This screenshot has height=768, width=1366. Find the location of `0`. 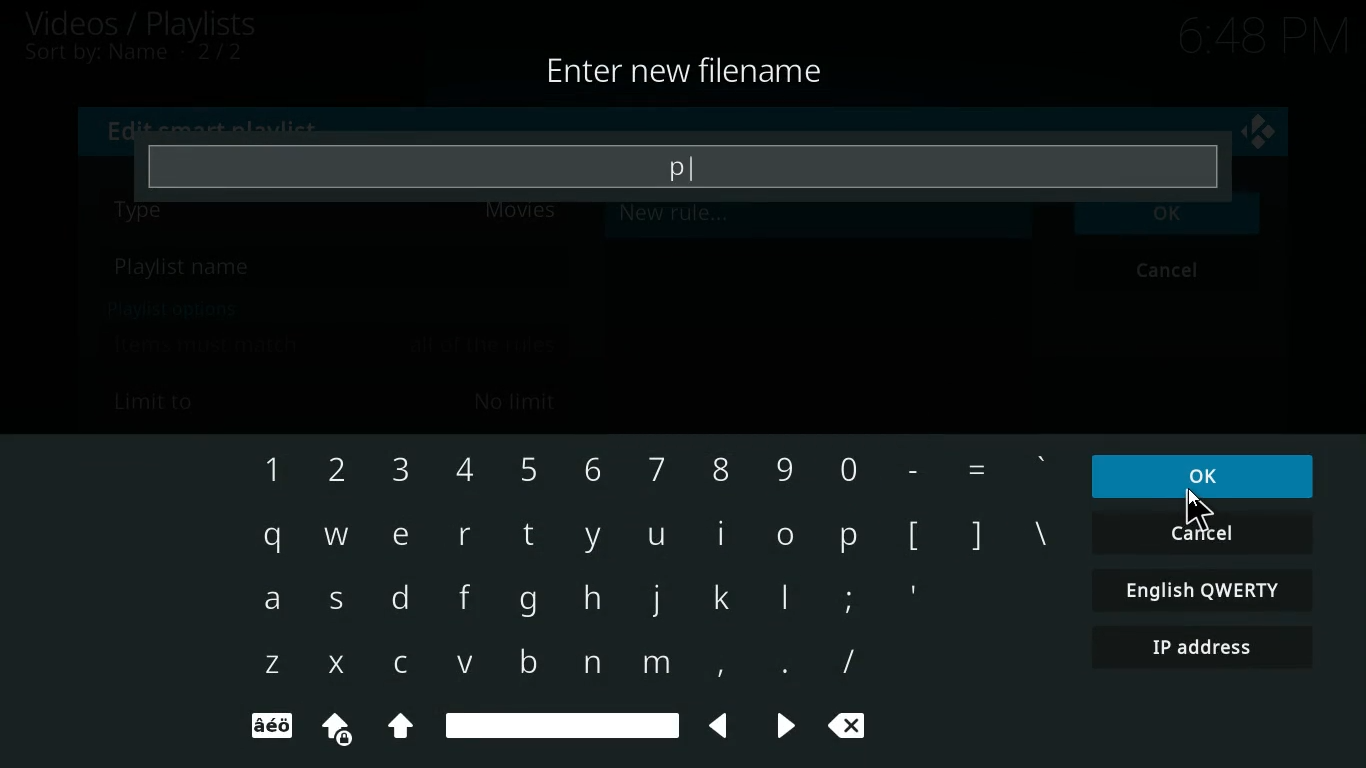

0 is located at coordinates (845, 465).